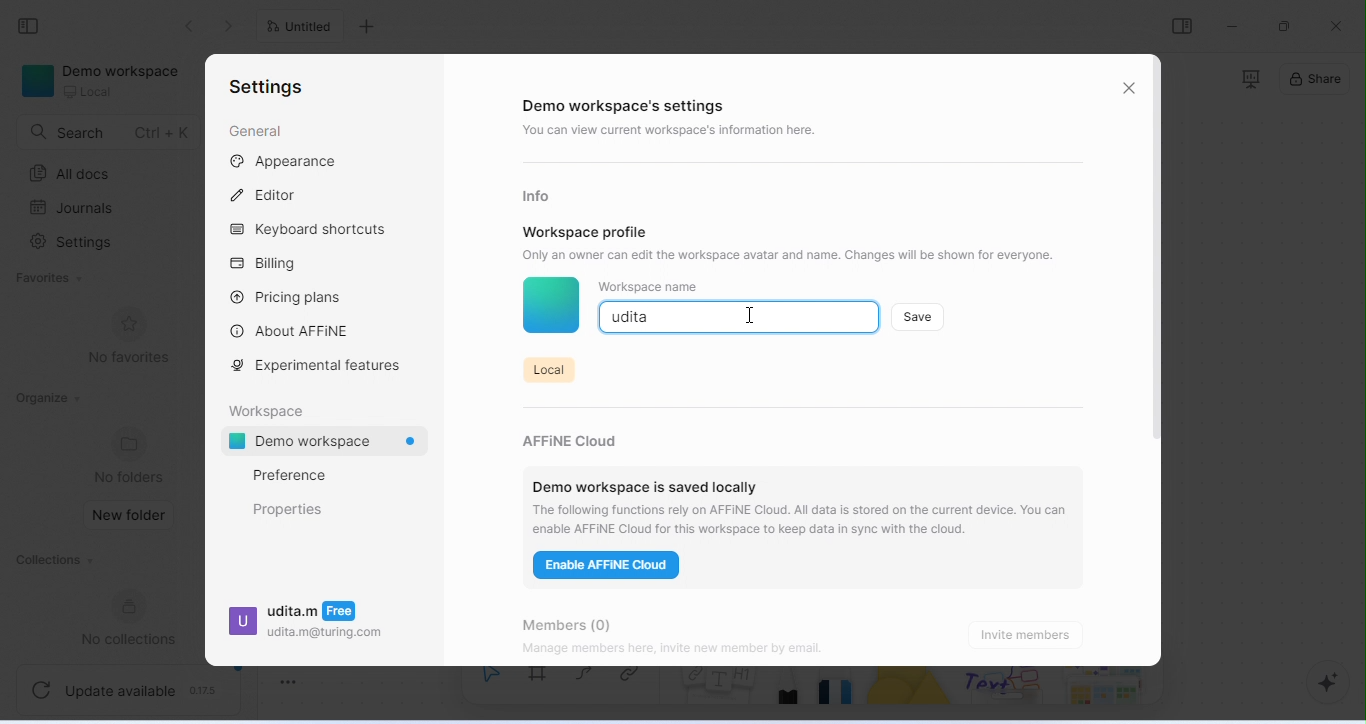 The image size is (1366, 724). I want to click on others, so click(1007, 688).